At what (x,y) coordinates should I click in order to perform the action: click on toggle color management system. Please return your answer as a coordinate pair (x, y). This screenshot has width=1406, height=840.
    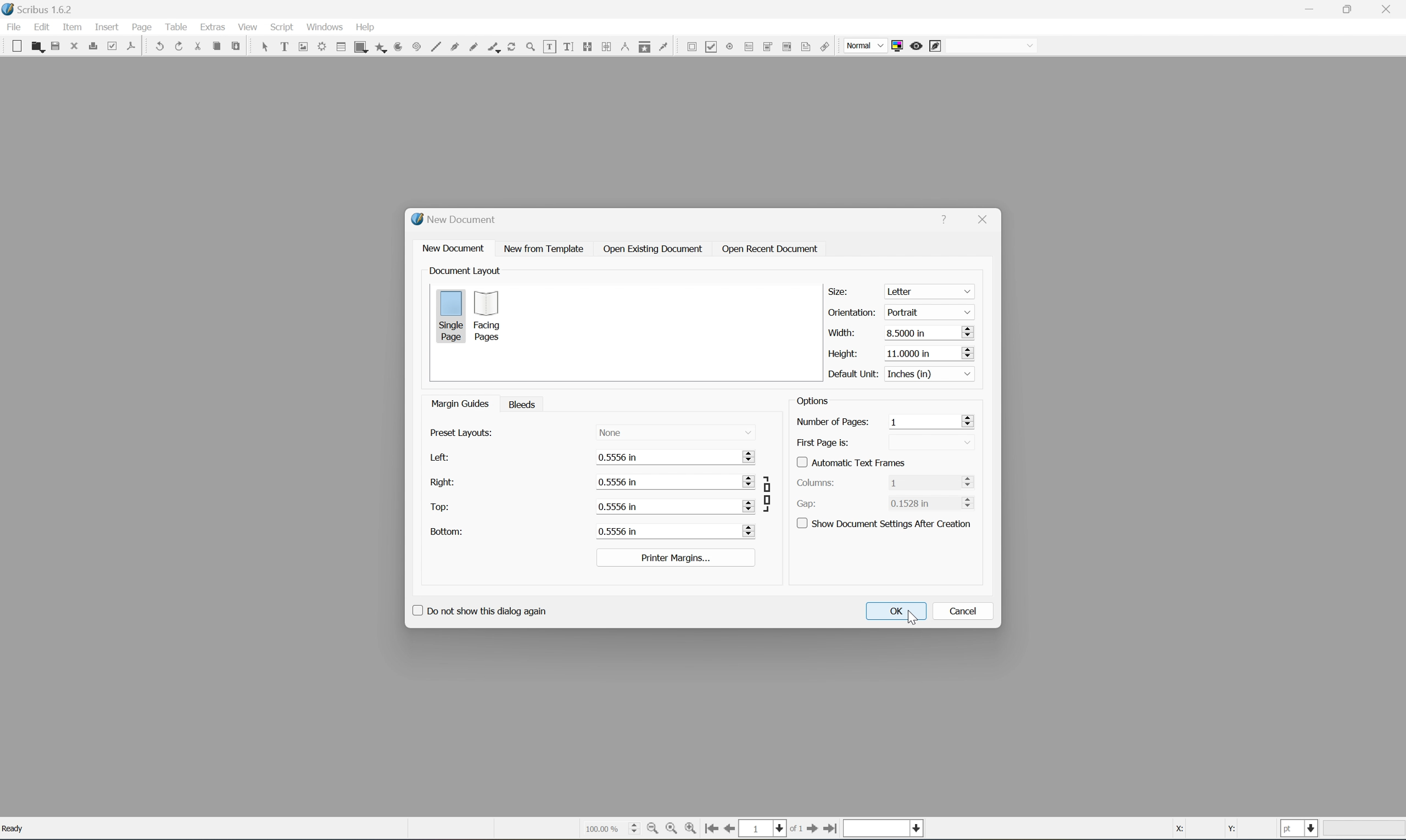
    Looking at the image, I should click on (897, 45).